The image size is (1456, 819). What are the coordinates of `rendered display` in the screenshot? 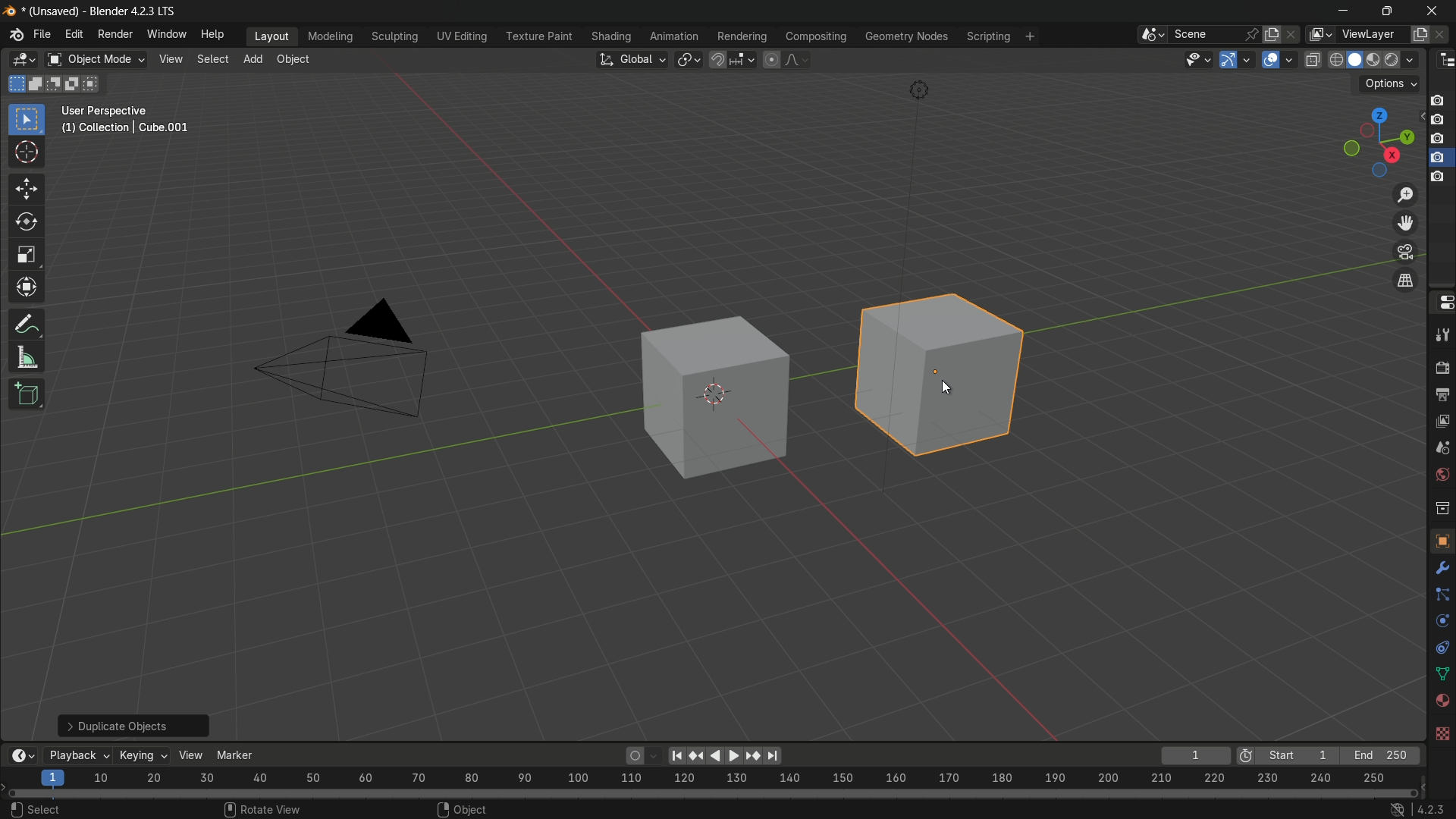 It's located at (1402, 61).